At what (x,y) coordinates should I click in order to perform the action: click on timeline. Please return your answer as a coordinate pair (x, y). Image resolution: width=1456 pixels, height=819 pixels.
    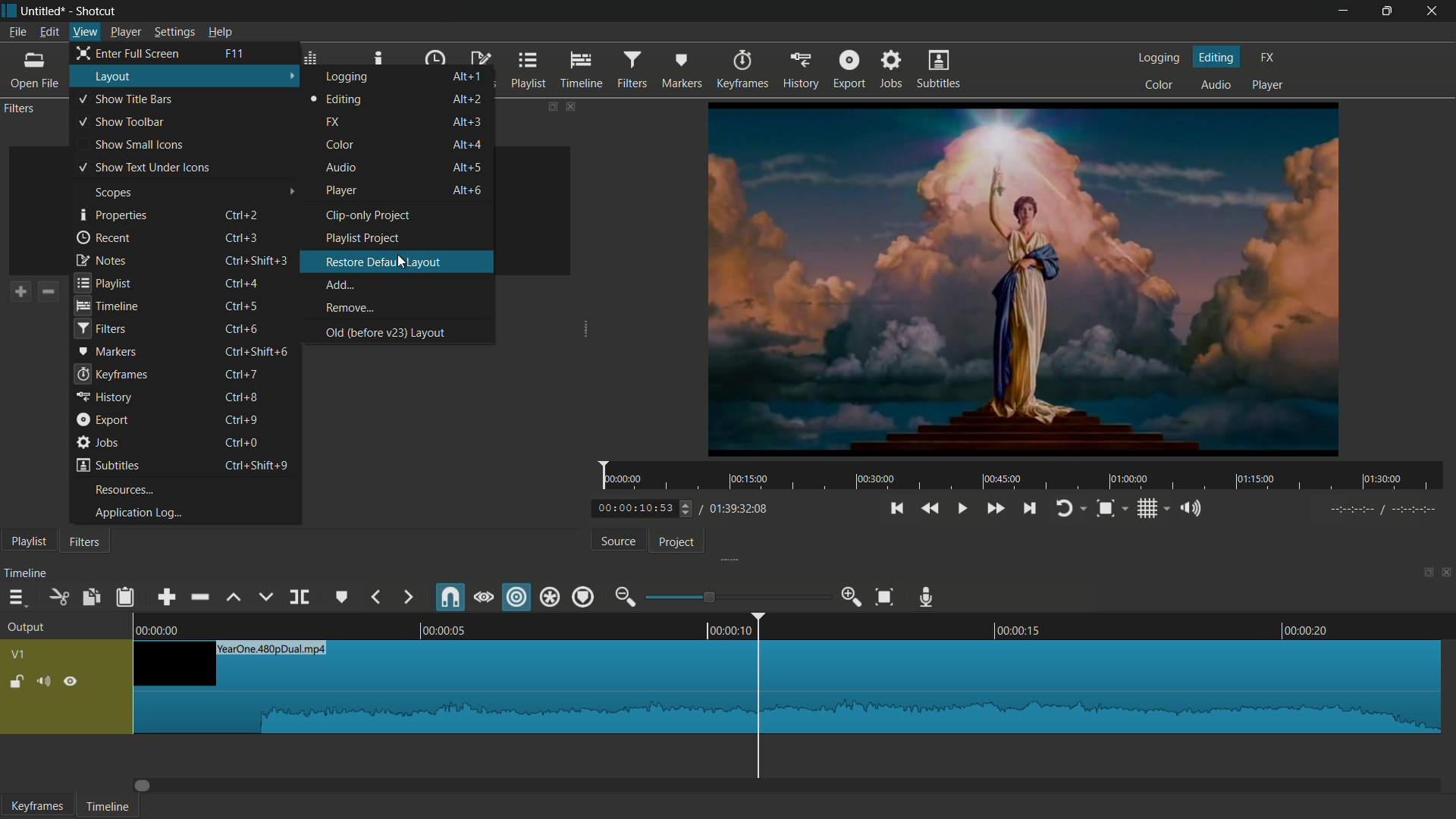
    Looking at the image, I should click on (796, 625).